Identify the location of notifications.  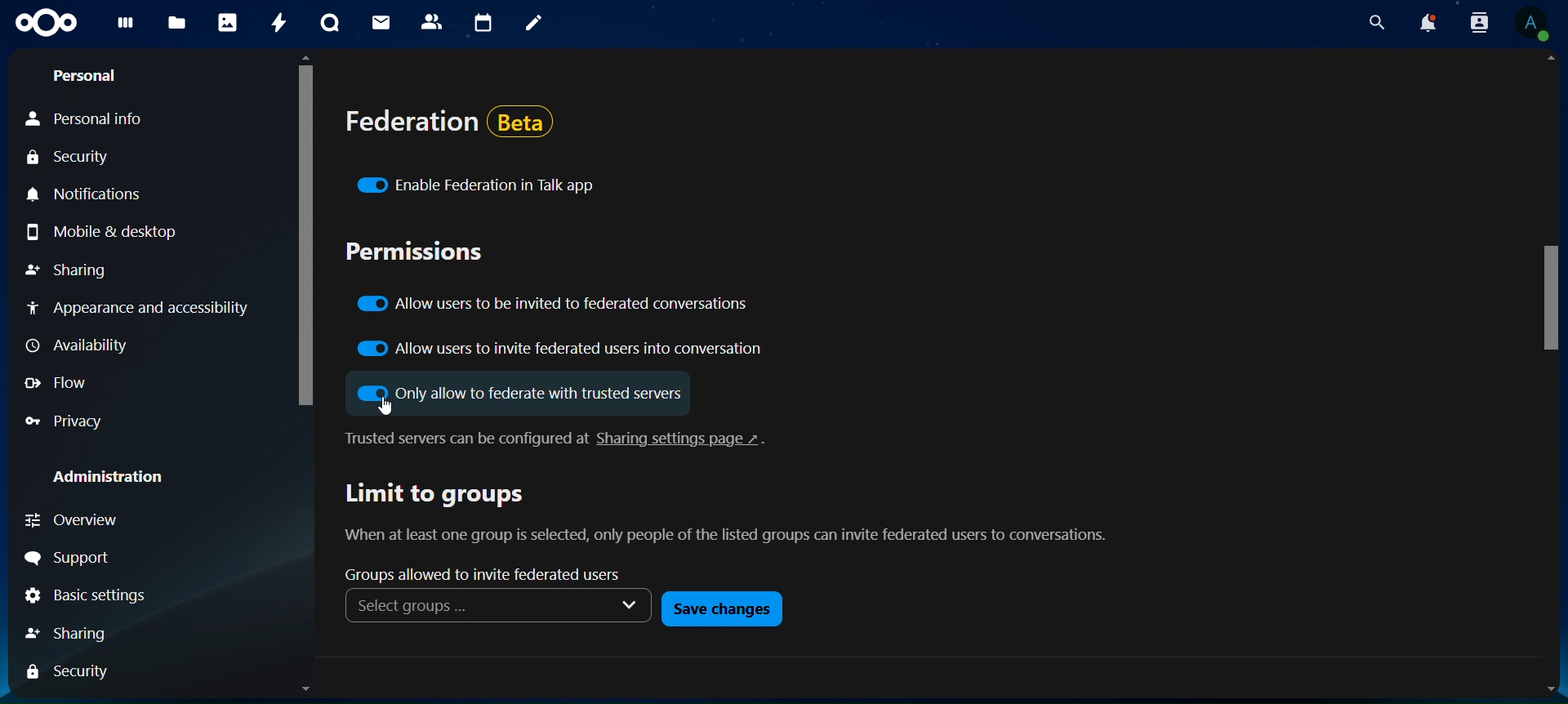
(1426, 23).